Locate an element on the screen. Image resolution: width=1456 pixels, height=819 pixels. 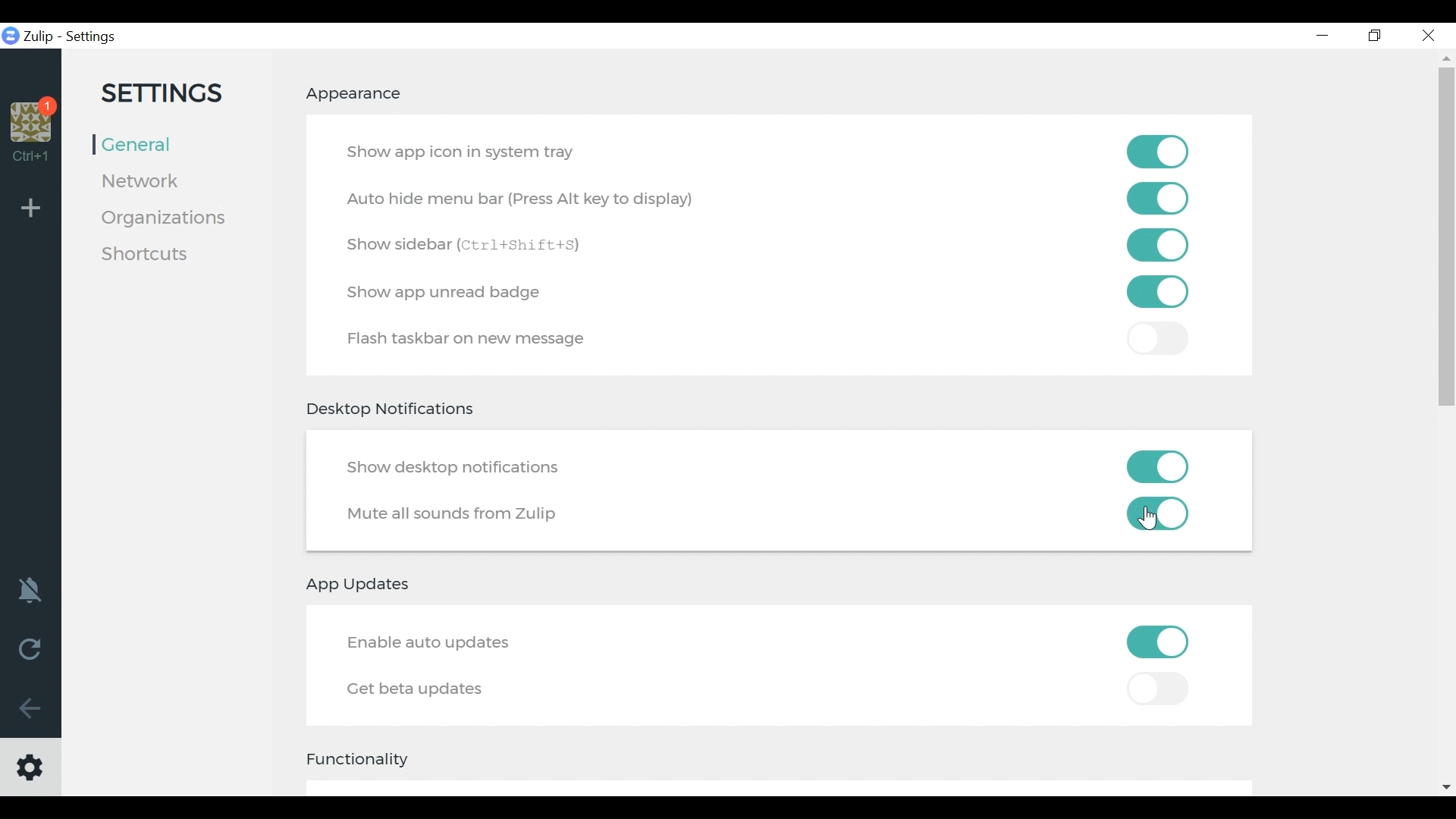
Organisation is located at coordinates (33, 122).